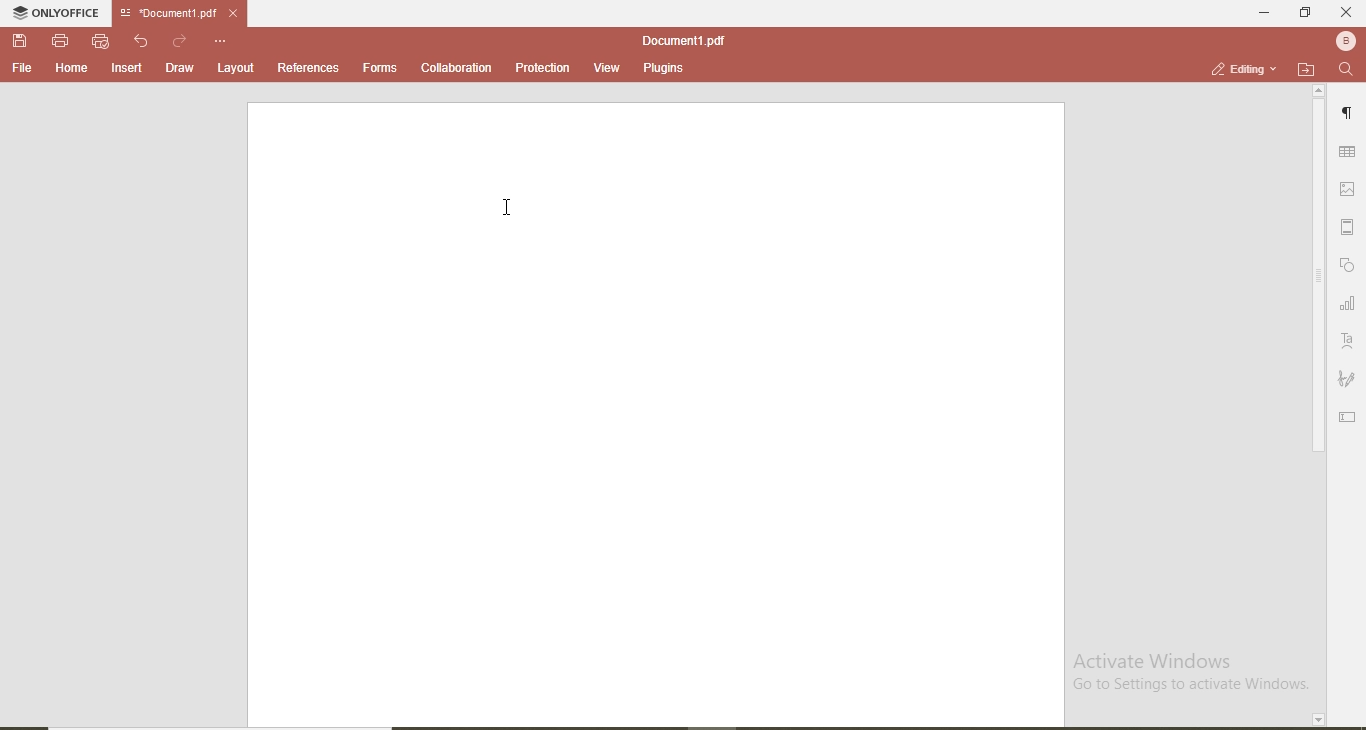  Describe the element at coordinates (220, 40) in the screenshot. I see `custmise quick access toolbar` at that location.